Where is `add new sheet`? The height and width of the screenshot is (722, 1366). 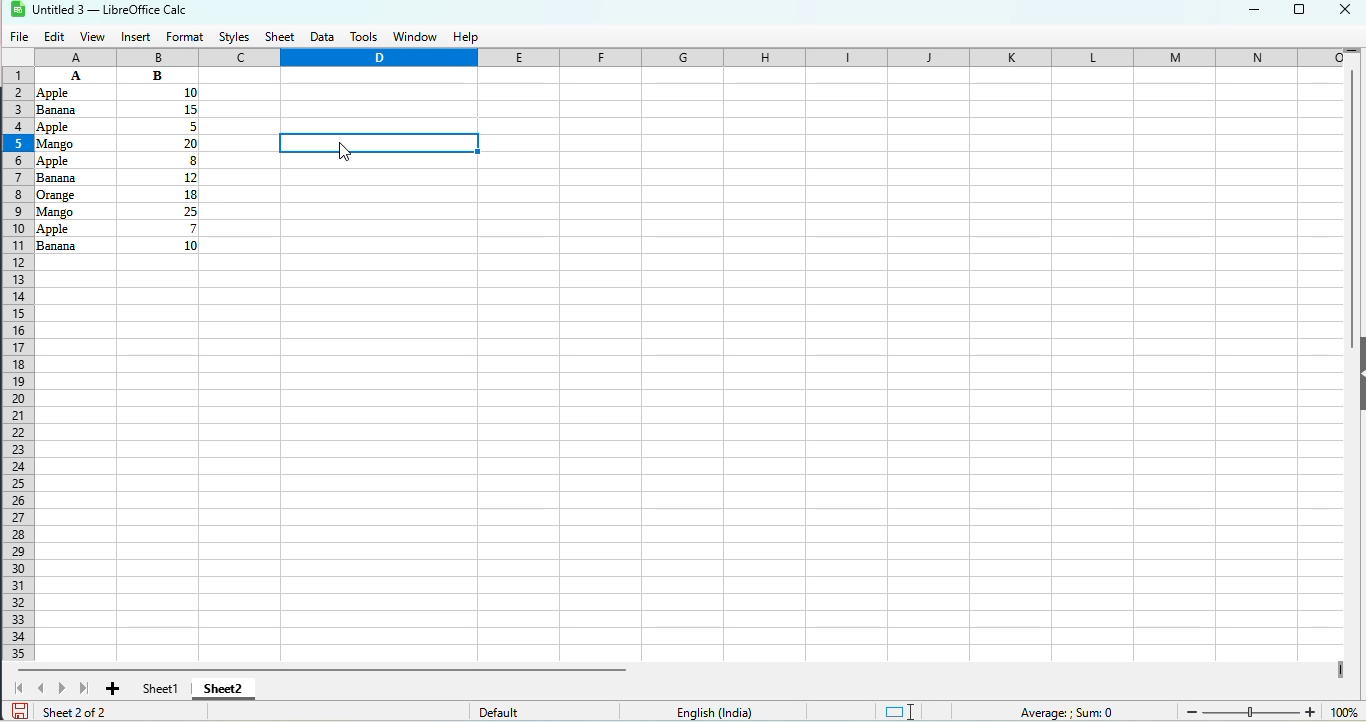 add new sheet is located at coordinates (112, 689).